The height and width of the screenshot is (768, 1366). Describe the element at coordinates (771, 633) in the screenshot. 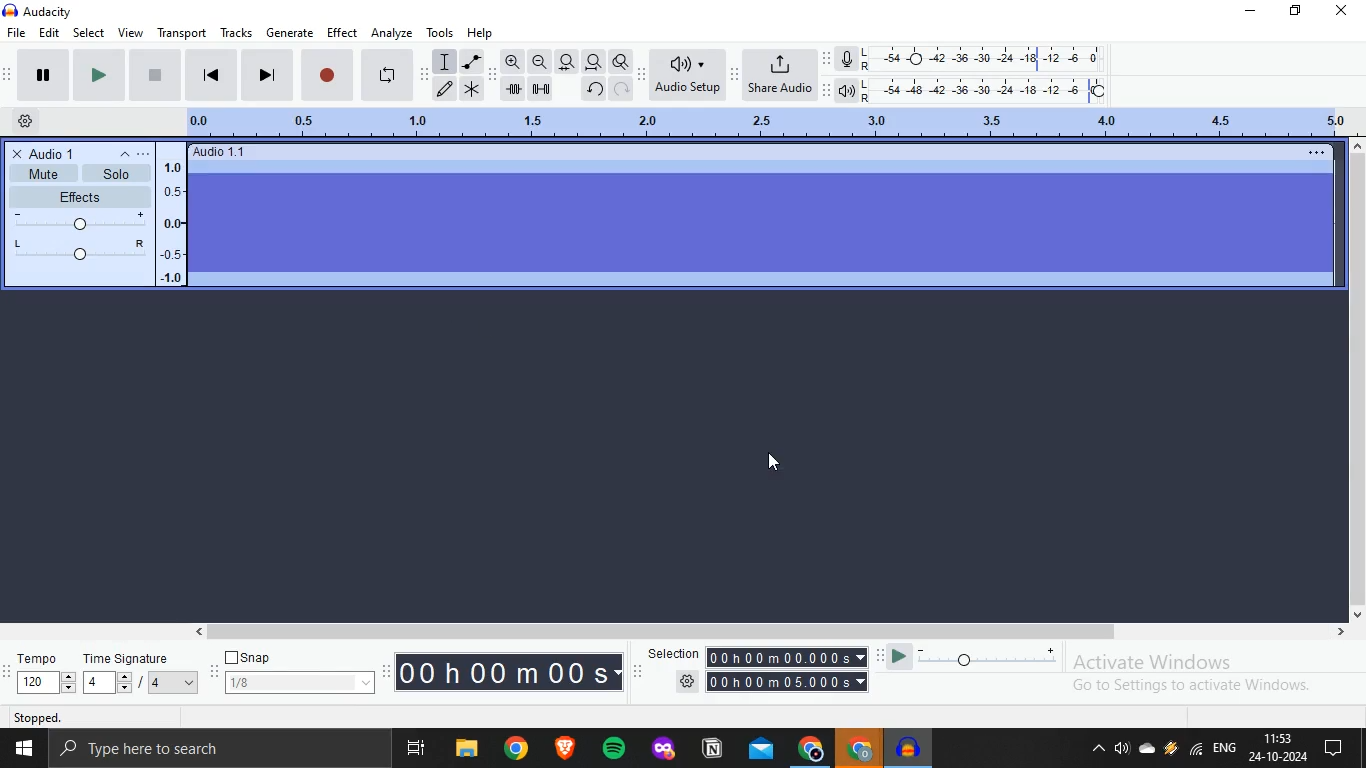

I see `Scrollbar` at that location.